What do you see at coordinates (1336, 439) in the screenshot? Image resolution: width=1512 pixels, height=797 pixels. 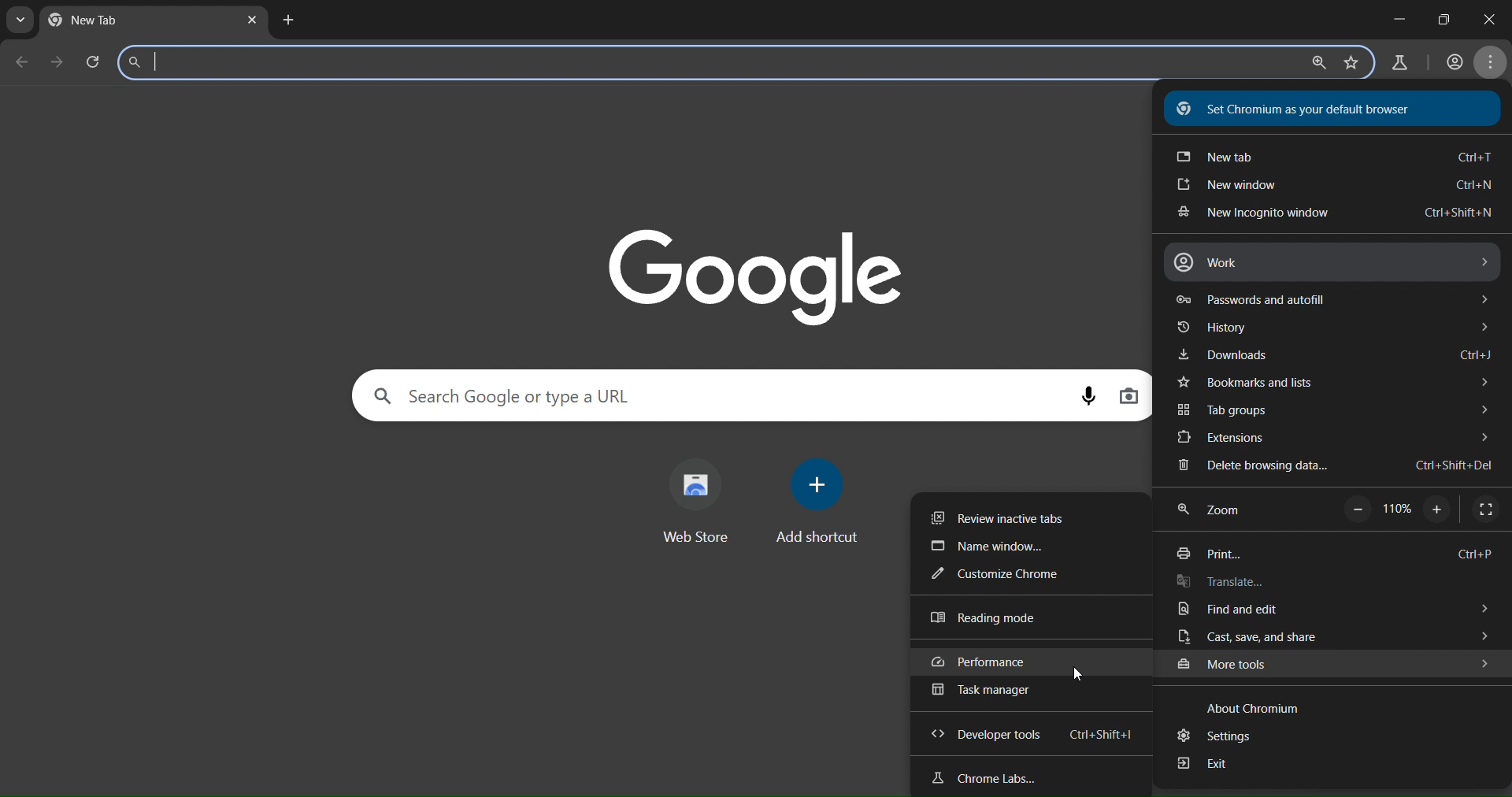 I see `extensionns` at bounding box center [1336, 439].